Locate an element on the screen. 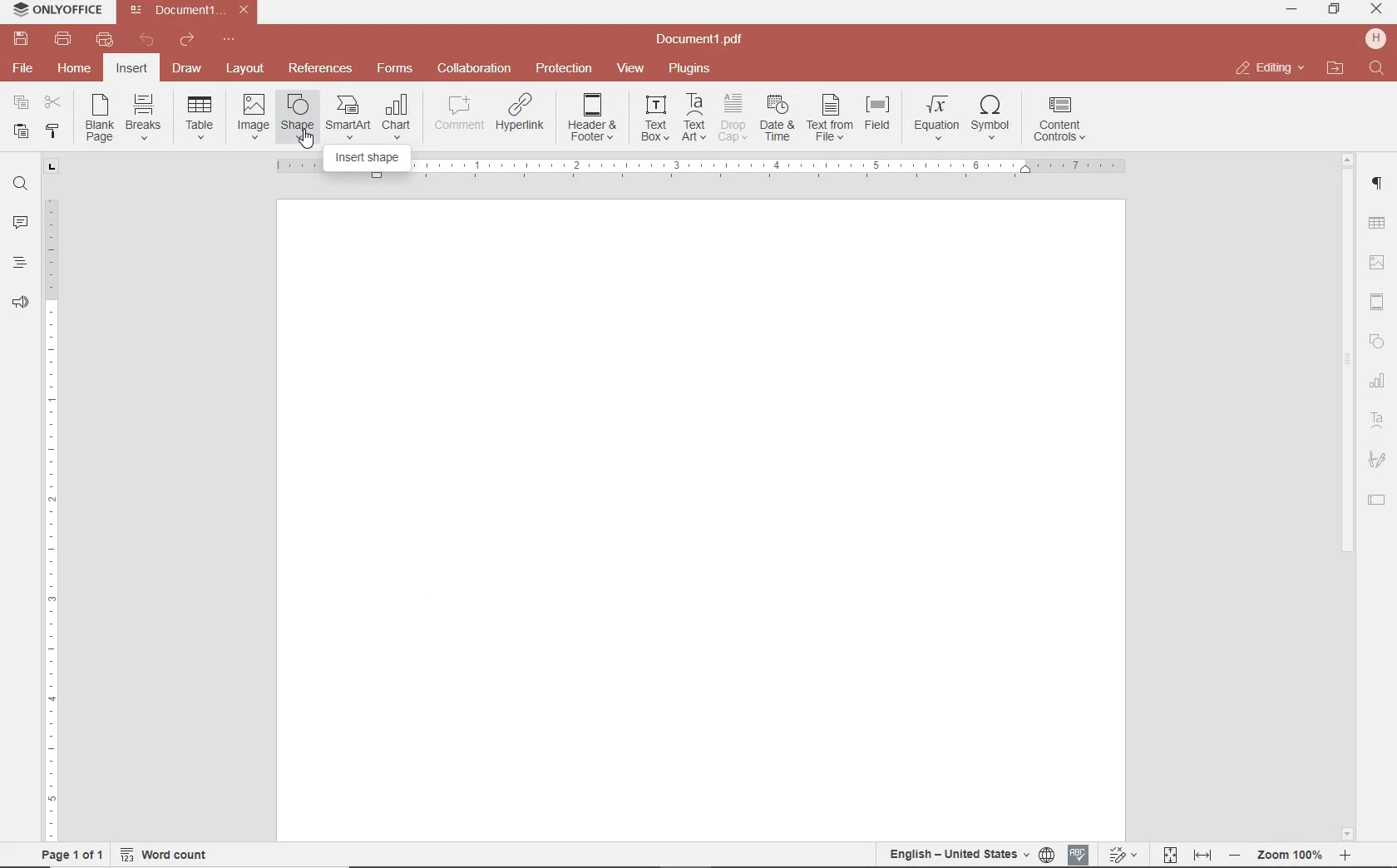  page 1 of 1 is located at coordinates (69, 853).